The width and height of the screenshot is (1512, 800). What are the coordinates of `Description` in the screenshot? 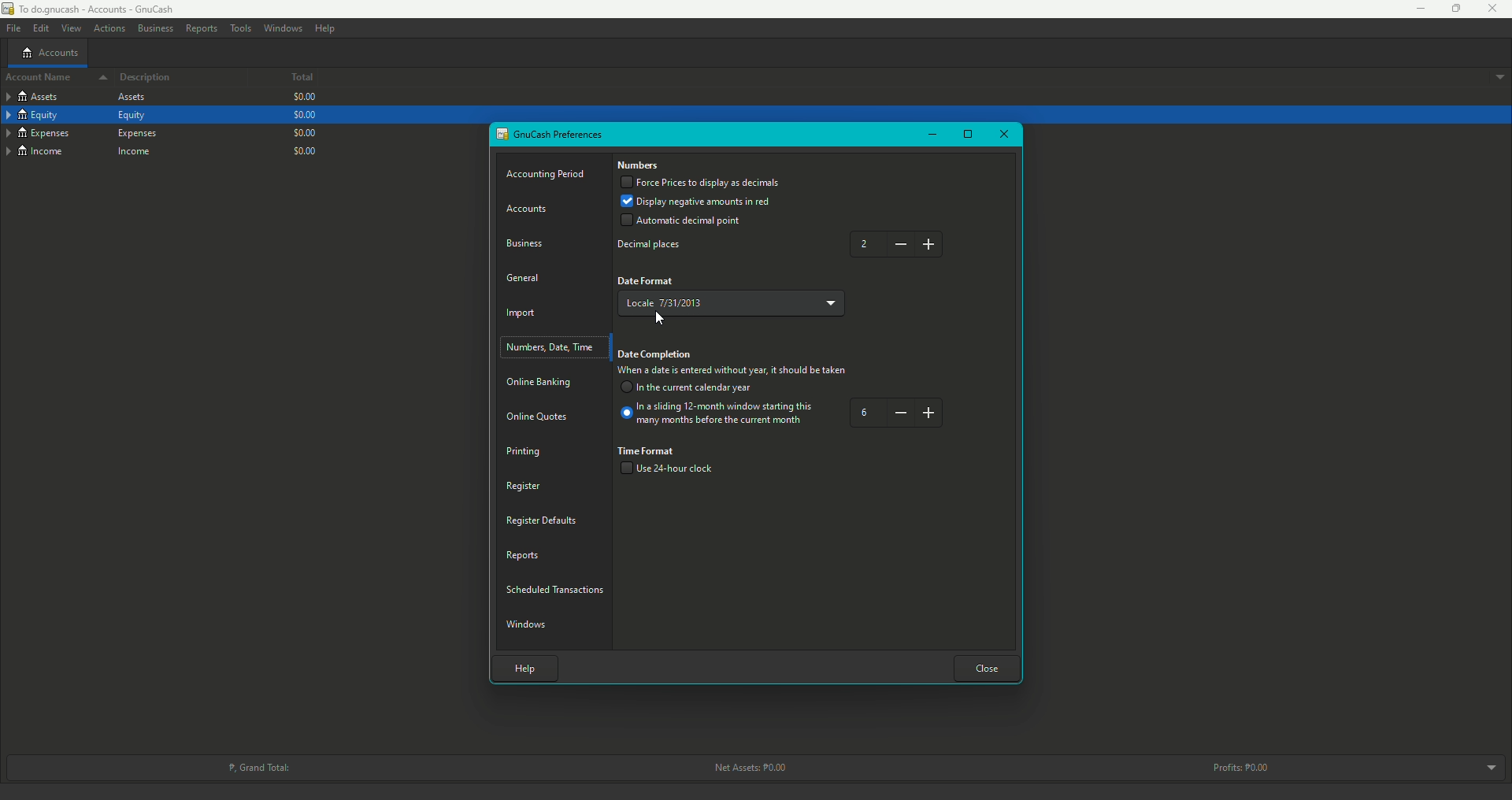 It's located at (146, 78).